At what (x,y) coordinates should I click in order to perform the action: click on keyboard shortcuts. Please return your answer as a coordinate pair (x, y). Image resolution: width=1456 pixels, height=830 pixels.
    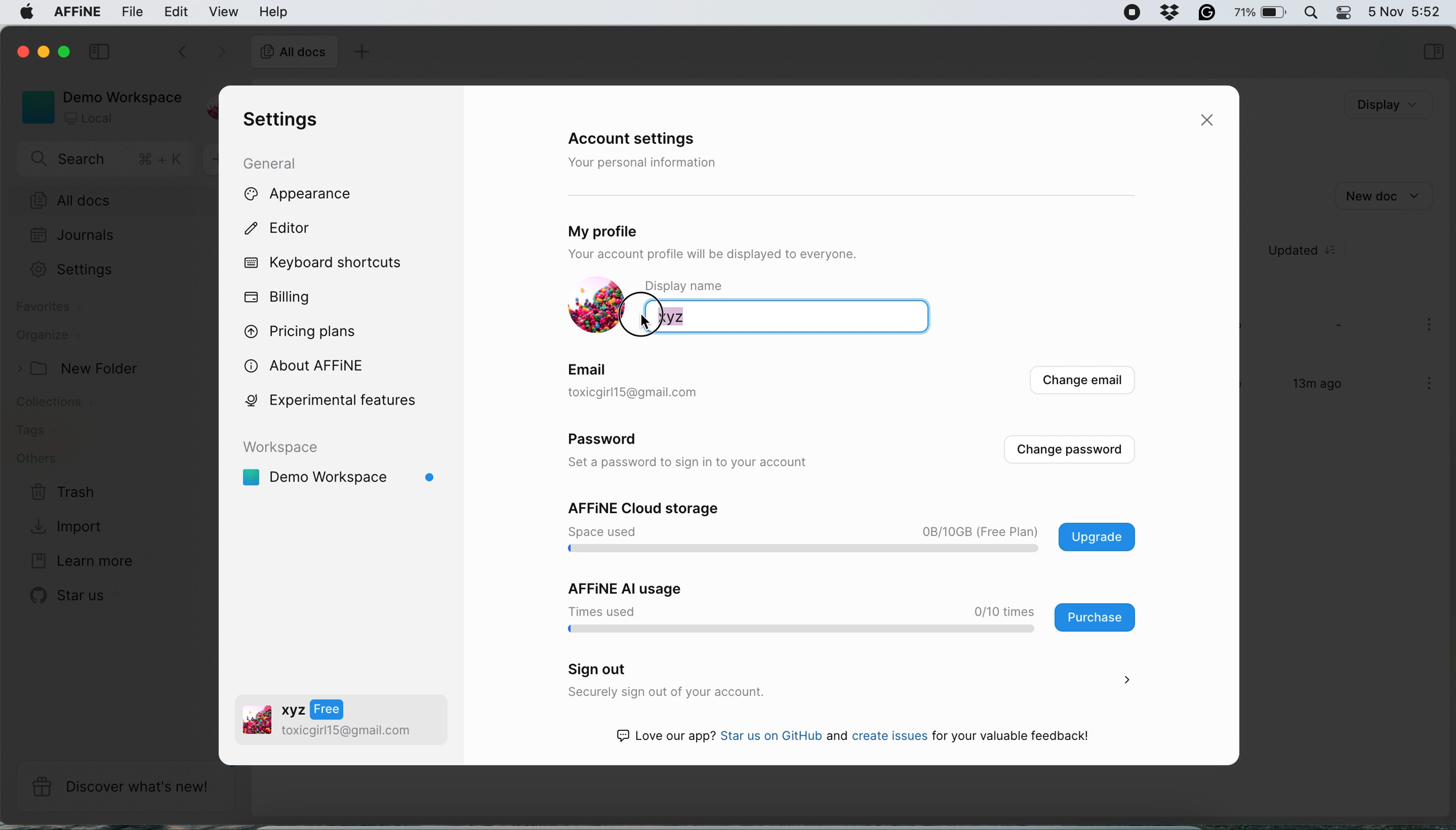
    Looking at the image, I should click on (328, 263).